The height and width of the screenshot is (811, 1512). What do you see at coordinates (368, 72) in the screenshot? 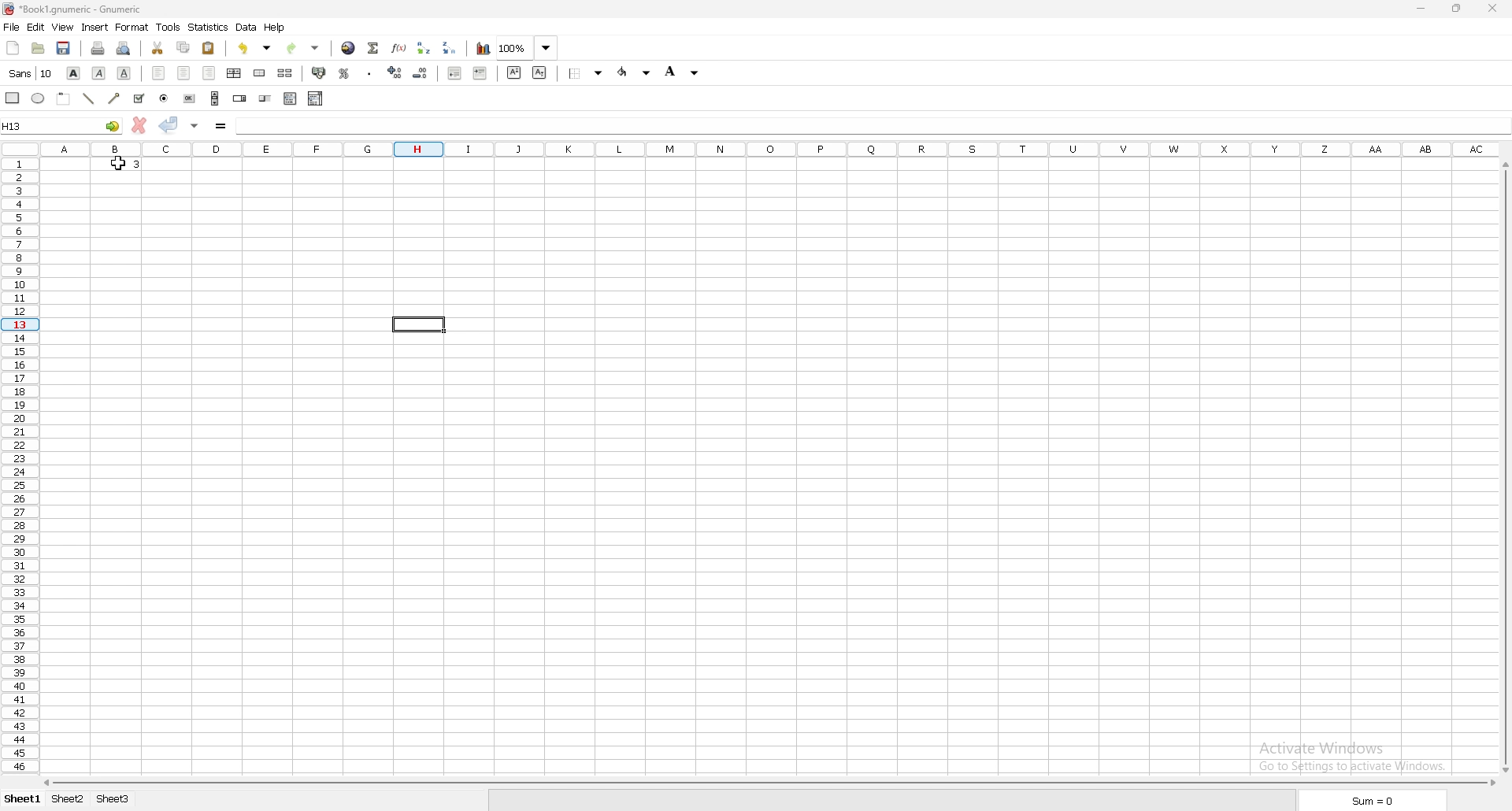
I see `thousand separator` at bounding box center [368, 72].